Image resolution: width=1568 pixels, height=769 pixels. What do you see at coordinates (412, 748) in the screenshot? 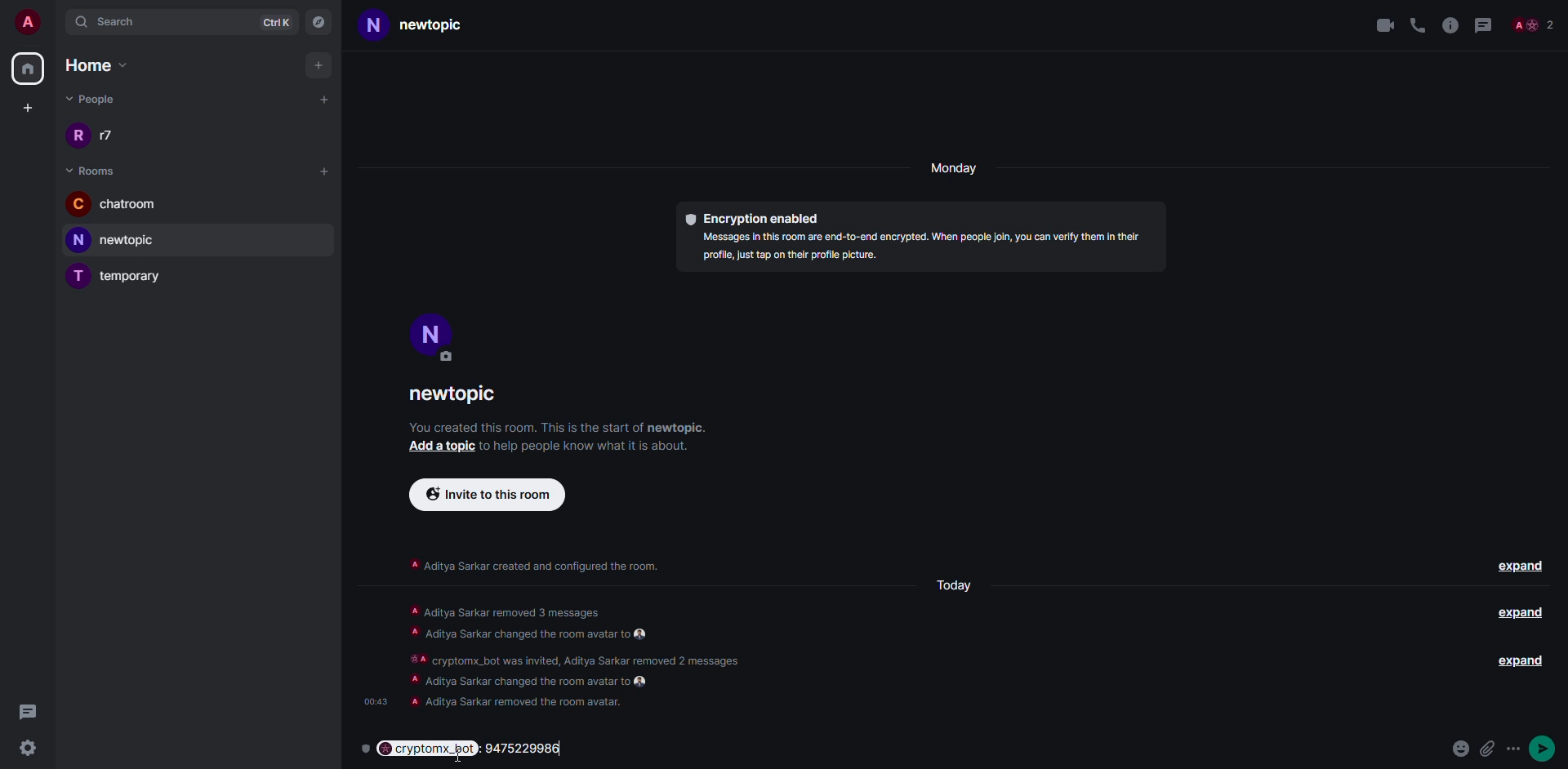
I see `cryptomx_bot` at bounding box center [412, 748].